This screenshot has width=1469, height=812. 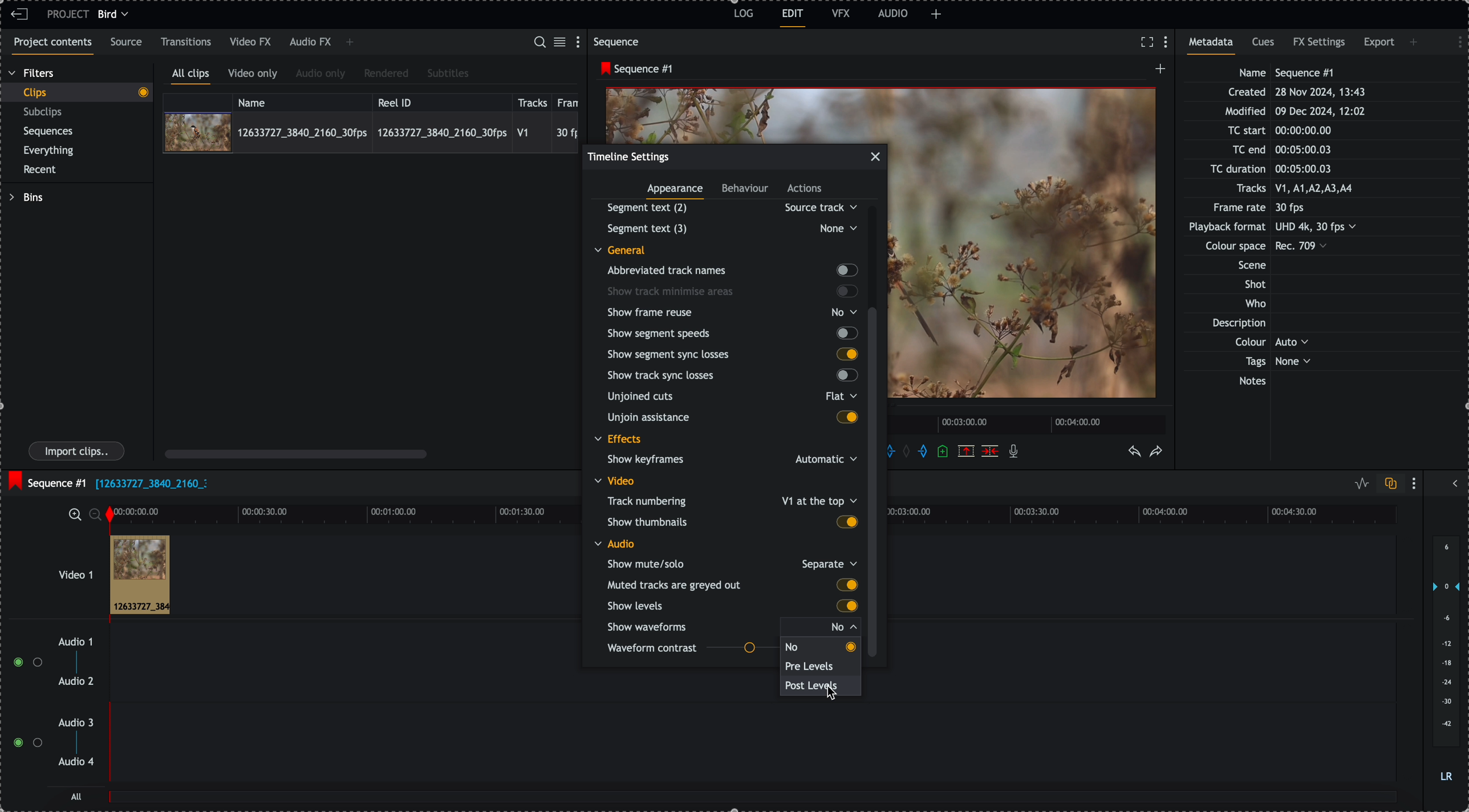 What do you see at coordinates (46, 480) in the screenshot?
I see `sequence #1` at bounding box center [46, 480].